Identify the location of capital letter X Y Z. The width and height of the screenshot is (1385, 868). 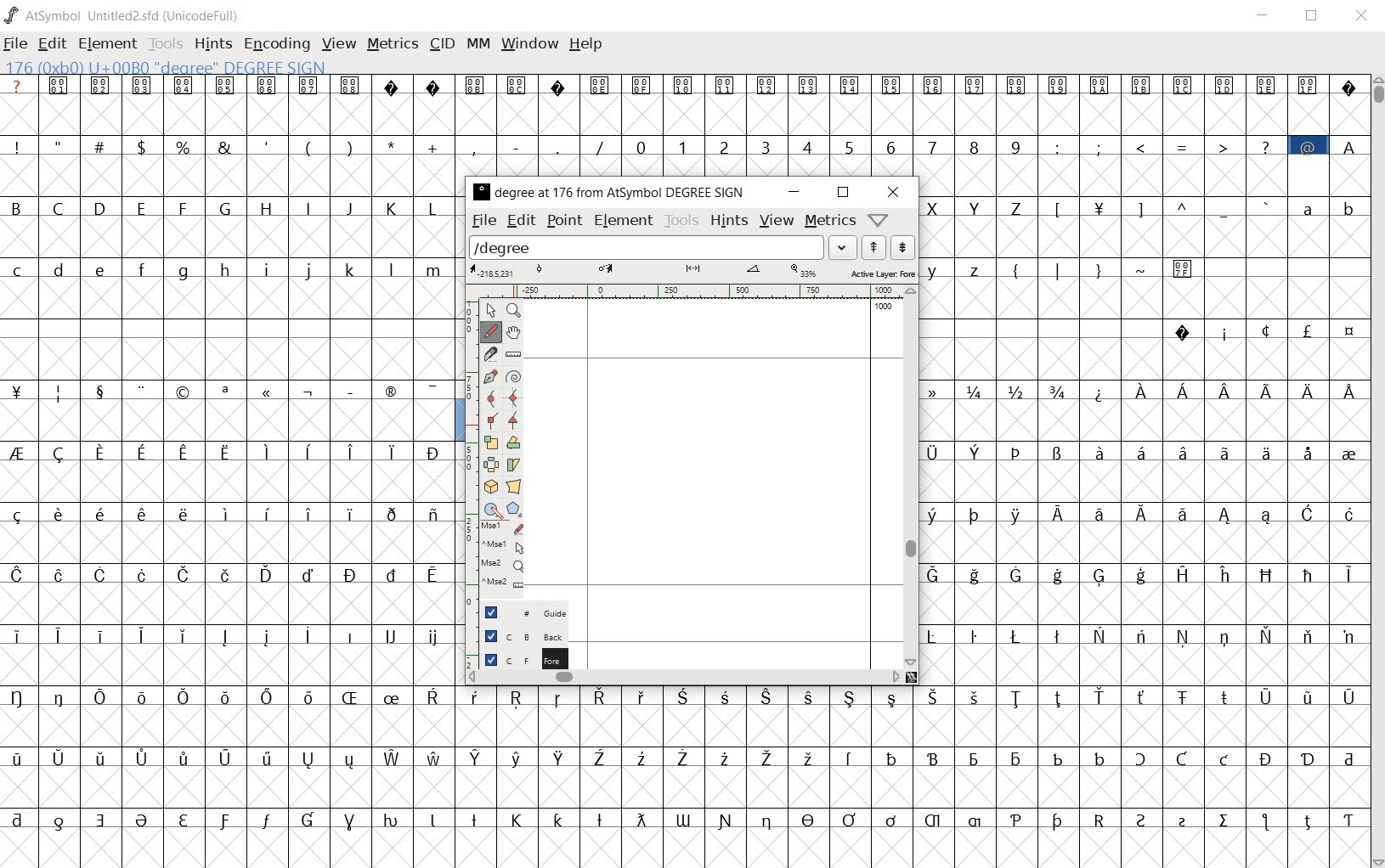
(981, 207).